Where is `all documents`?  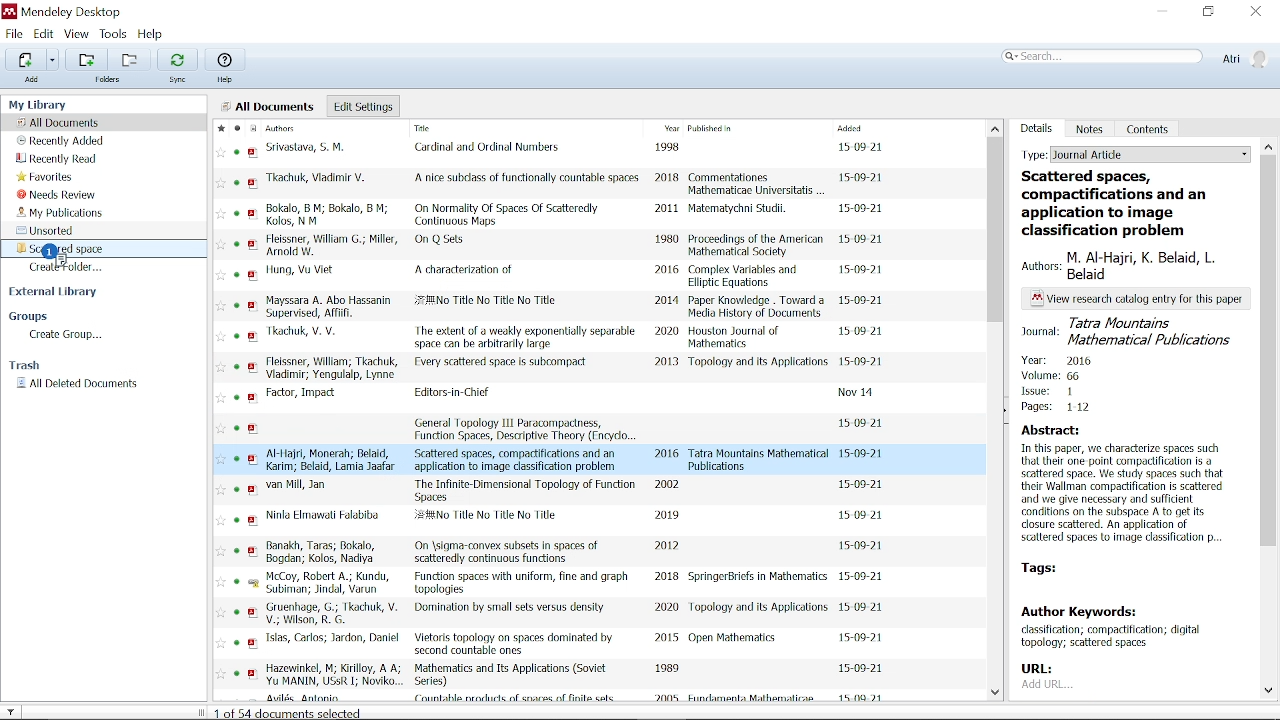
all documents is located at coordinates (269, 106).